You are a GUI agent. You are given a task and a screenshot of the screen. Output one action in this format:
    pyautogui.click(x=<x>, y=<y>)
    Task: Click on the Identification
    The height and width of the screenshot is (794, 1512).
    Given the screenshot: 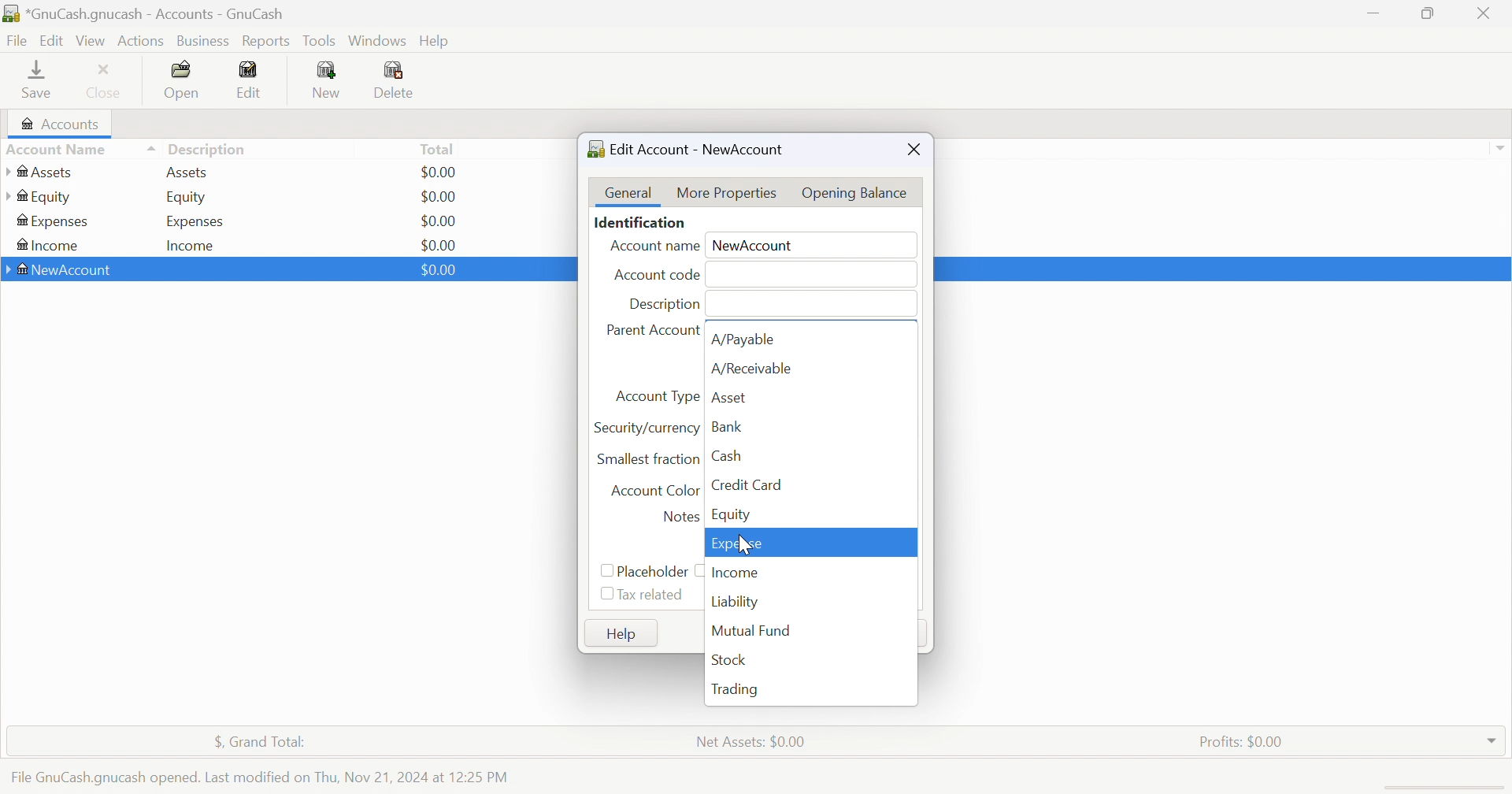 What is the action you would take?
    pyautogui.click(x=641, y=224)
    